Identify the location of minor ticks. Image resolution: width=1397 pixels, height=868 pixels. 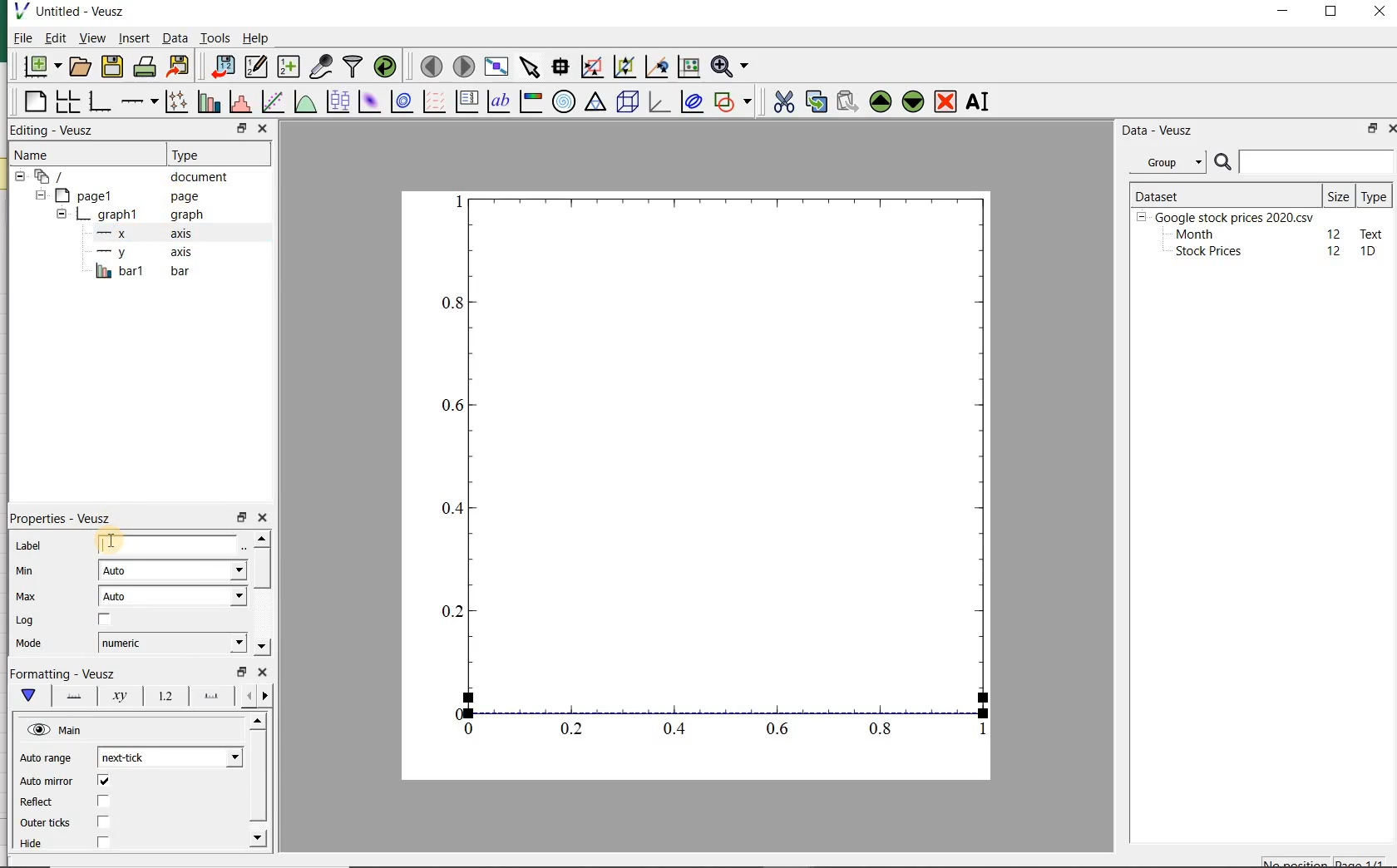
(255, 697).